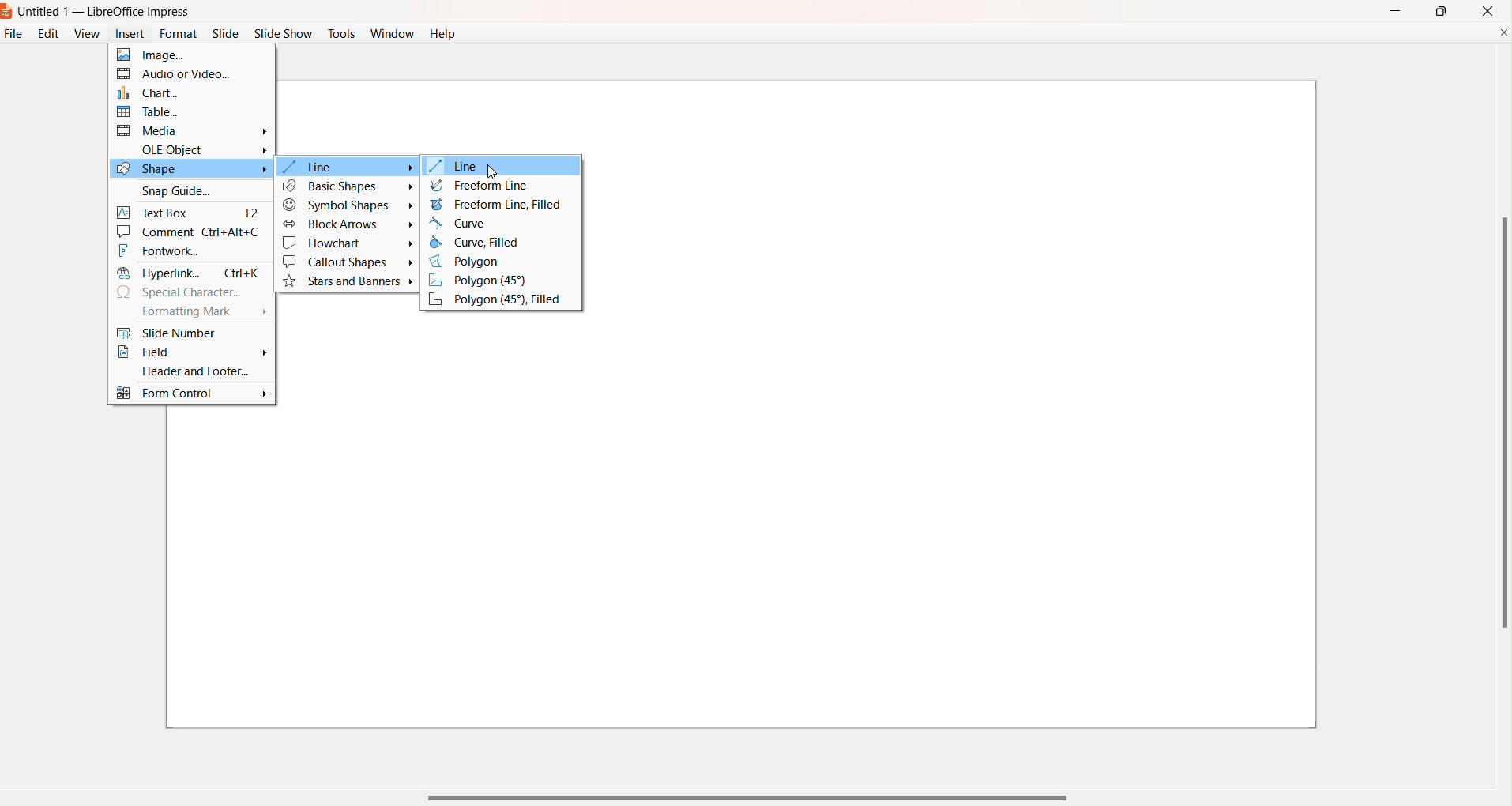  I want to click on View, so click(86, 33).